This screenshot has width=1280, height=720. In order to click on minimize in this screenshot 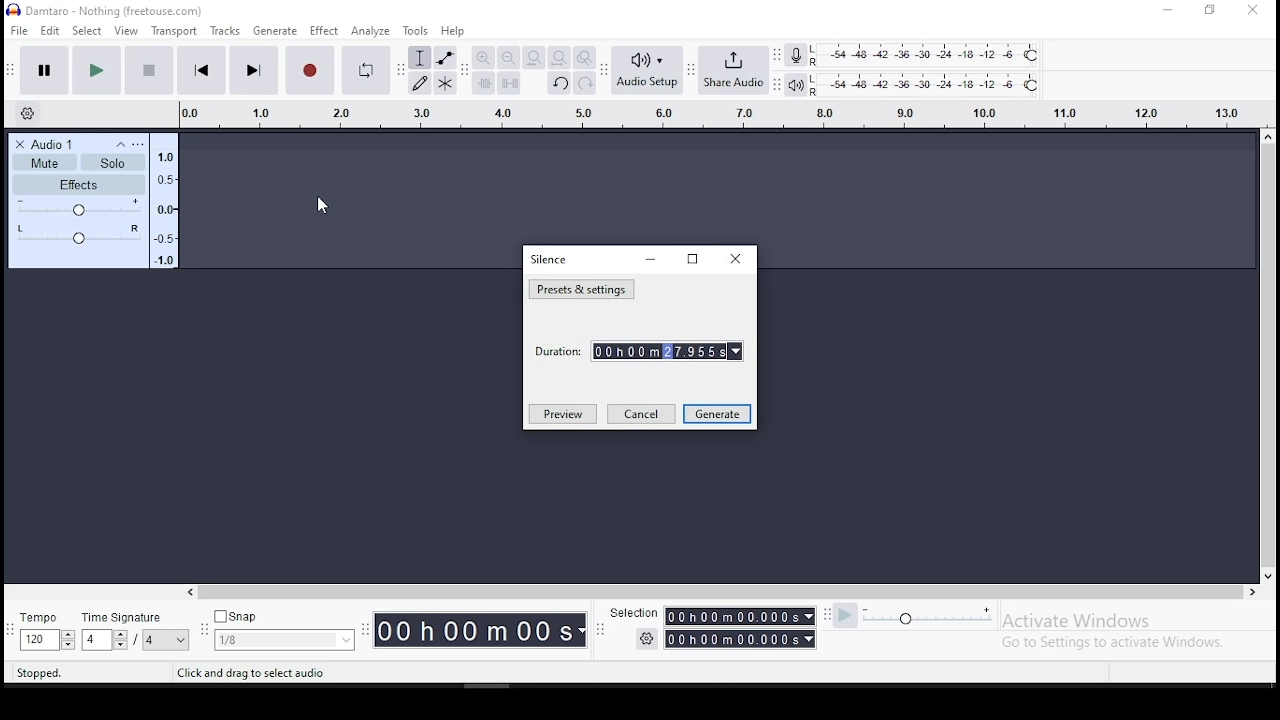, I will do `click(1167, 11)`.